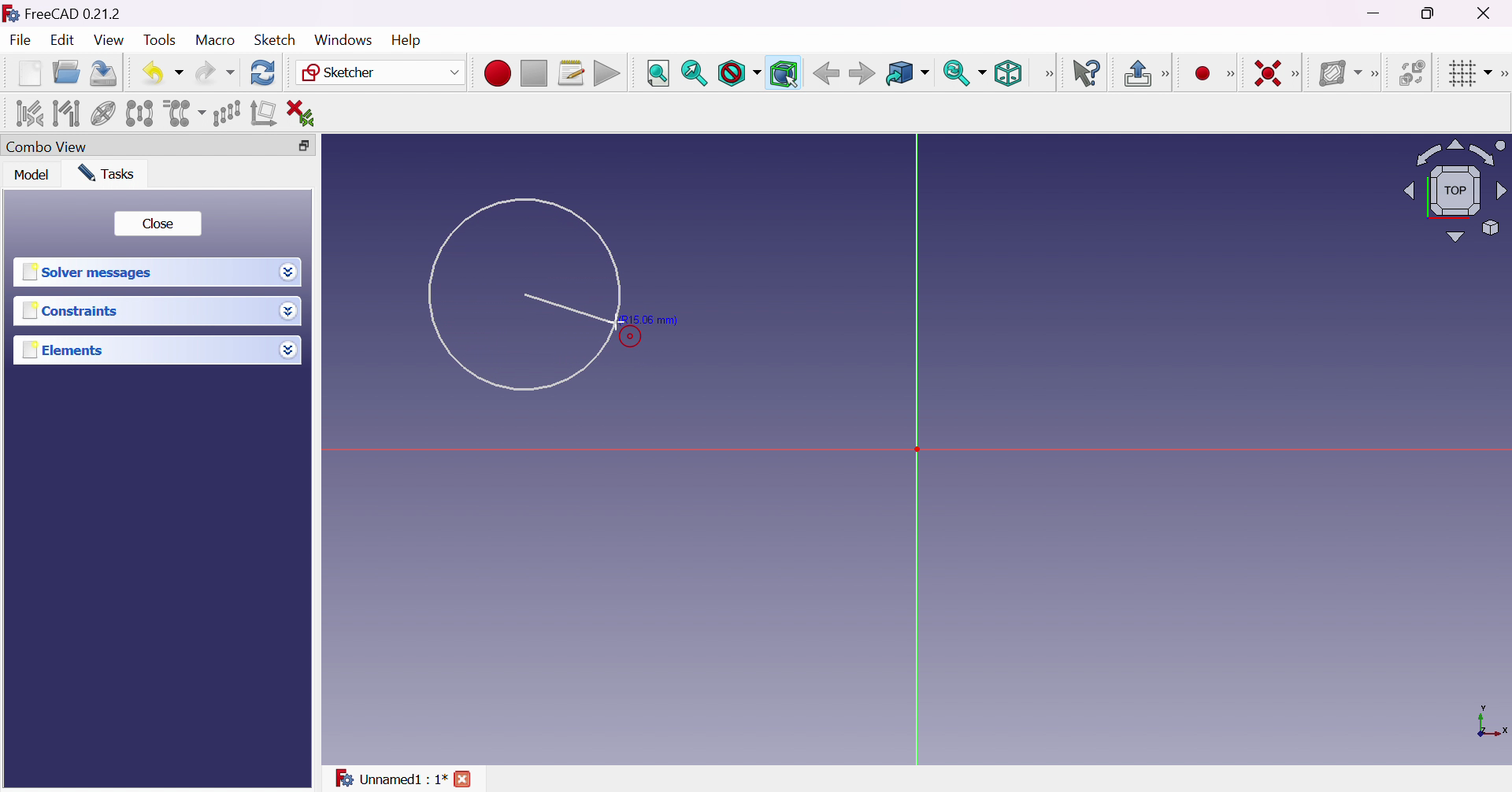 The image size is (1512, 792). Describe the element at coordinates (264, 114) in the screenshot. I see `Remove axes alignment` at that location.